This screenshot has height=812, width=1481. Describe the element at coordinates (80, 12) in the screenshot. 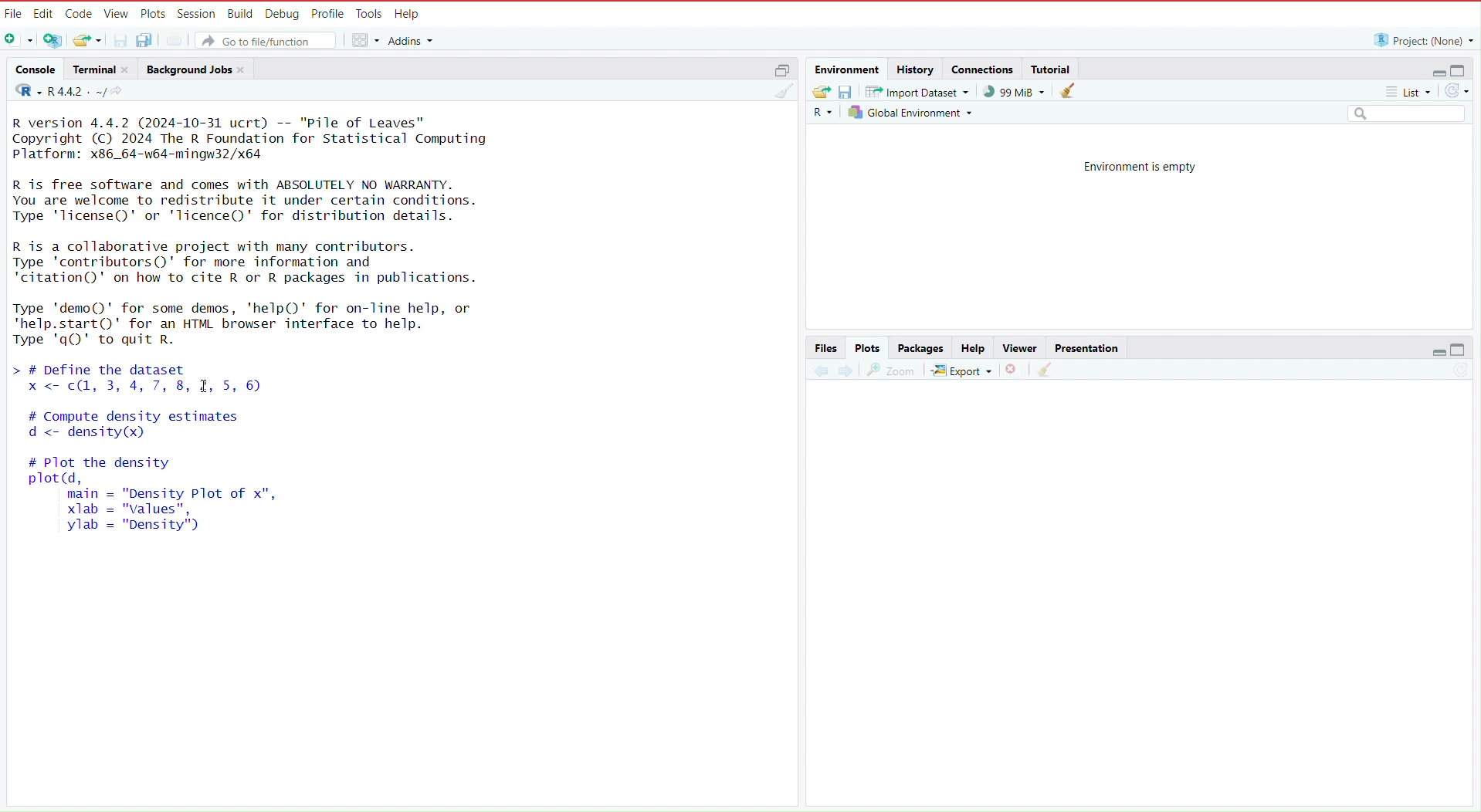

I see `code` at that location.